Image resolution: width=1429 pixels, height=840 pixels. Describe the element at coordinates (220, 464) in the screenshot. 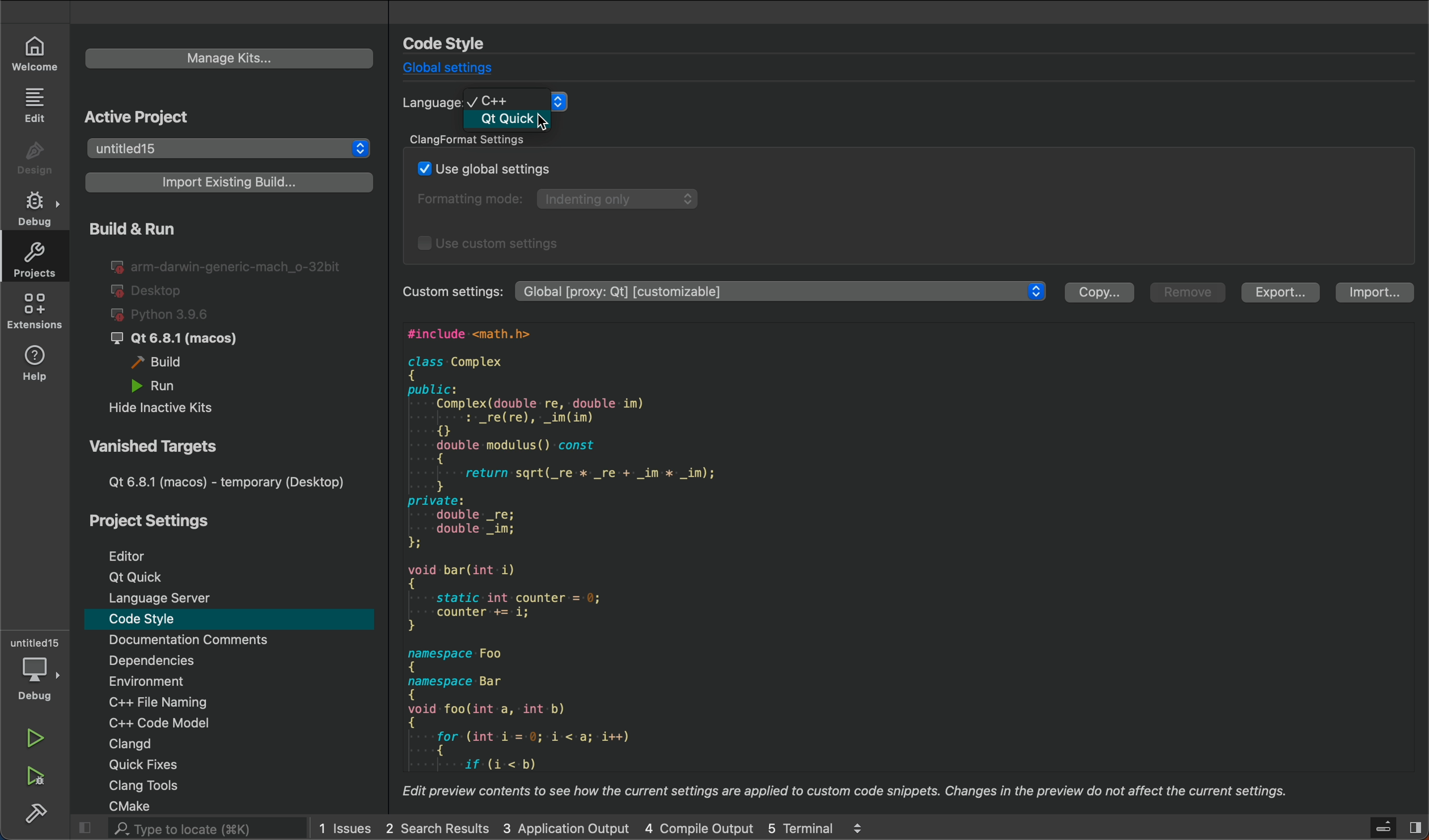

I see `targets` at that location.